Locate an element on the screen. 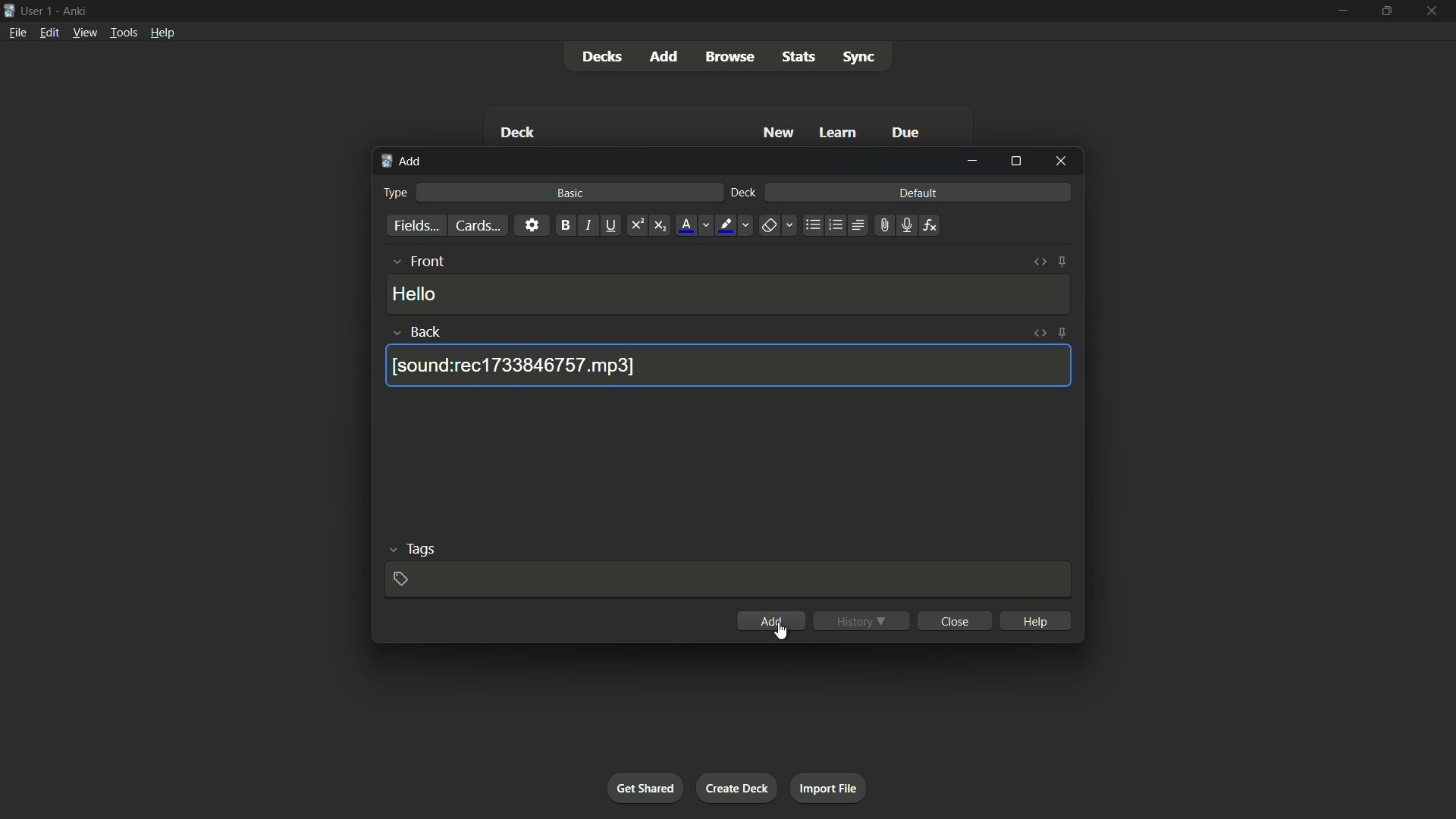  maximize is located at coordinates (1015, 162).